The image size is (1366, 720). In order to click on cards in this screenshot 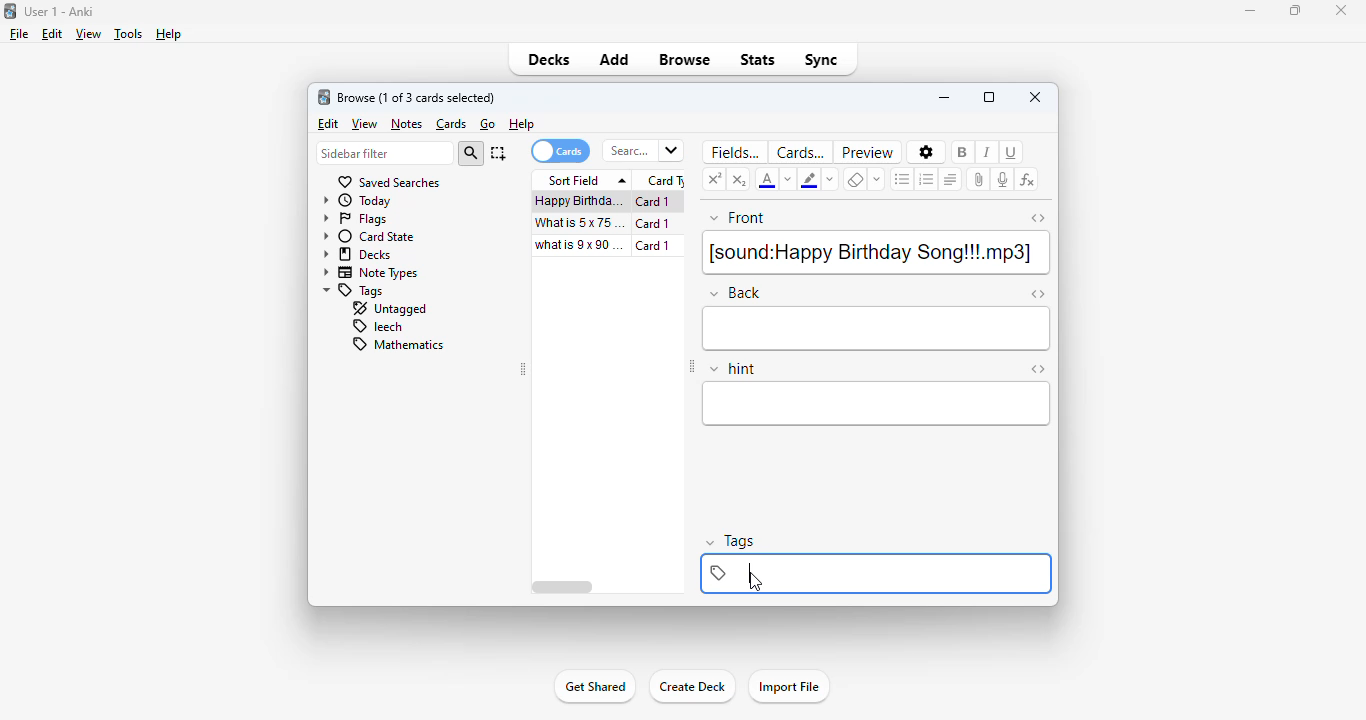, I will do `click(800, 152)`.